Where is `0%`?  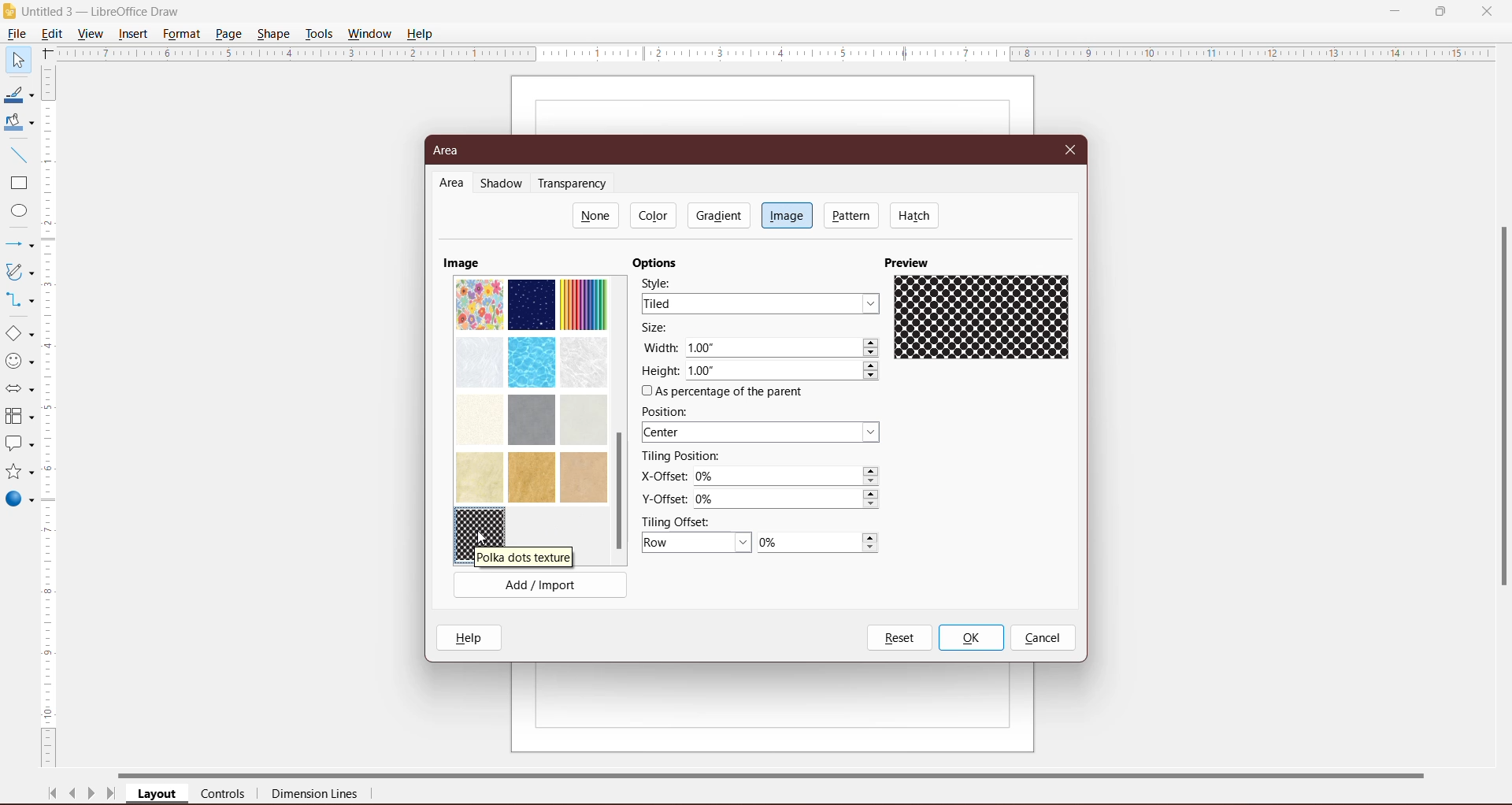 0% is located at coordinates (817, 543).